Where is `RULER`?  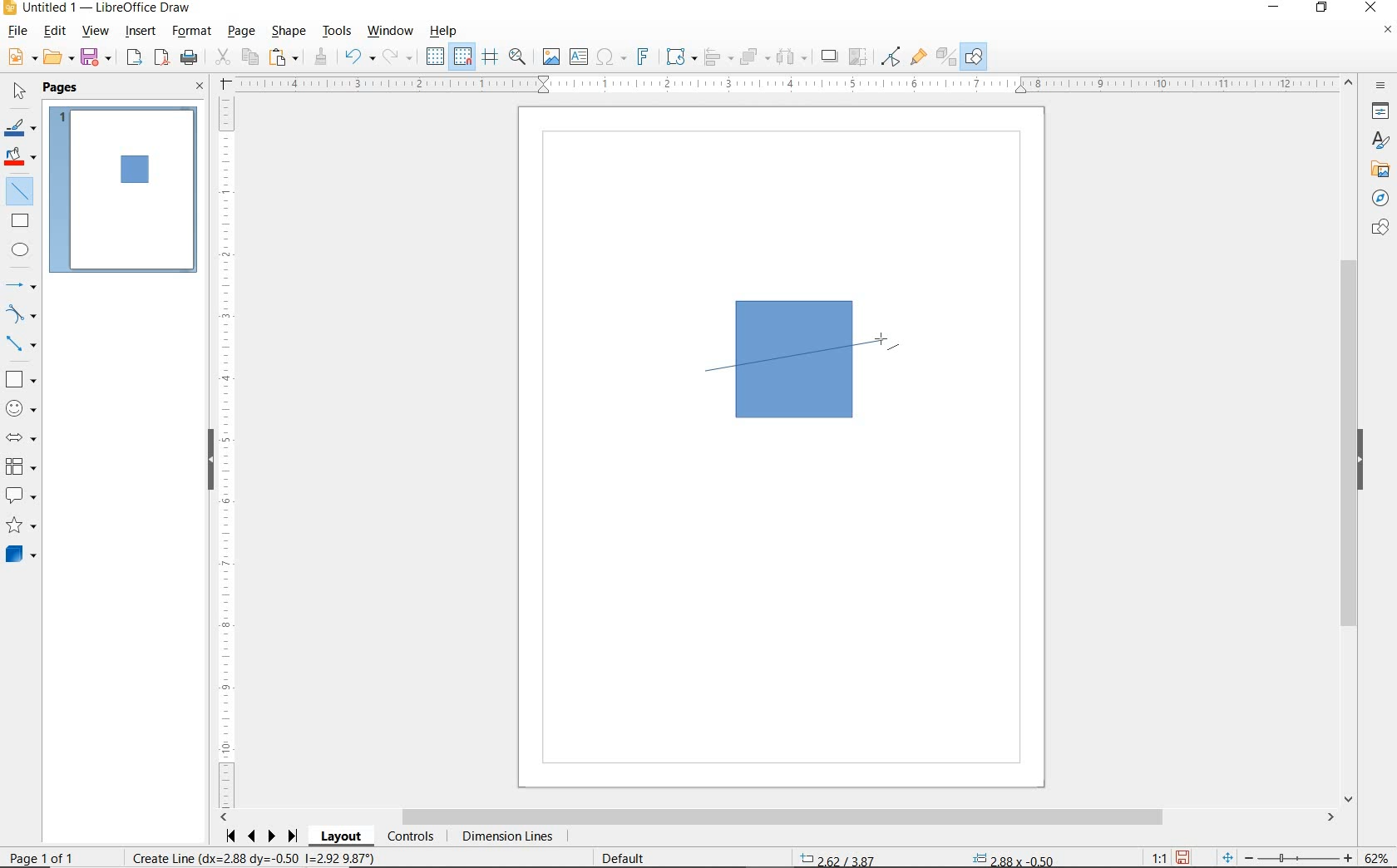 RULER is located at coordinates (787, 84).